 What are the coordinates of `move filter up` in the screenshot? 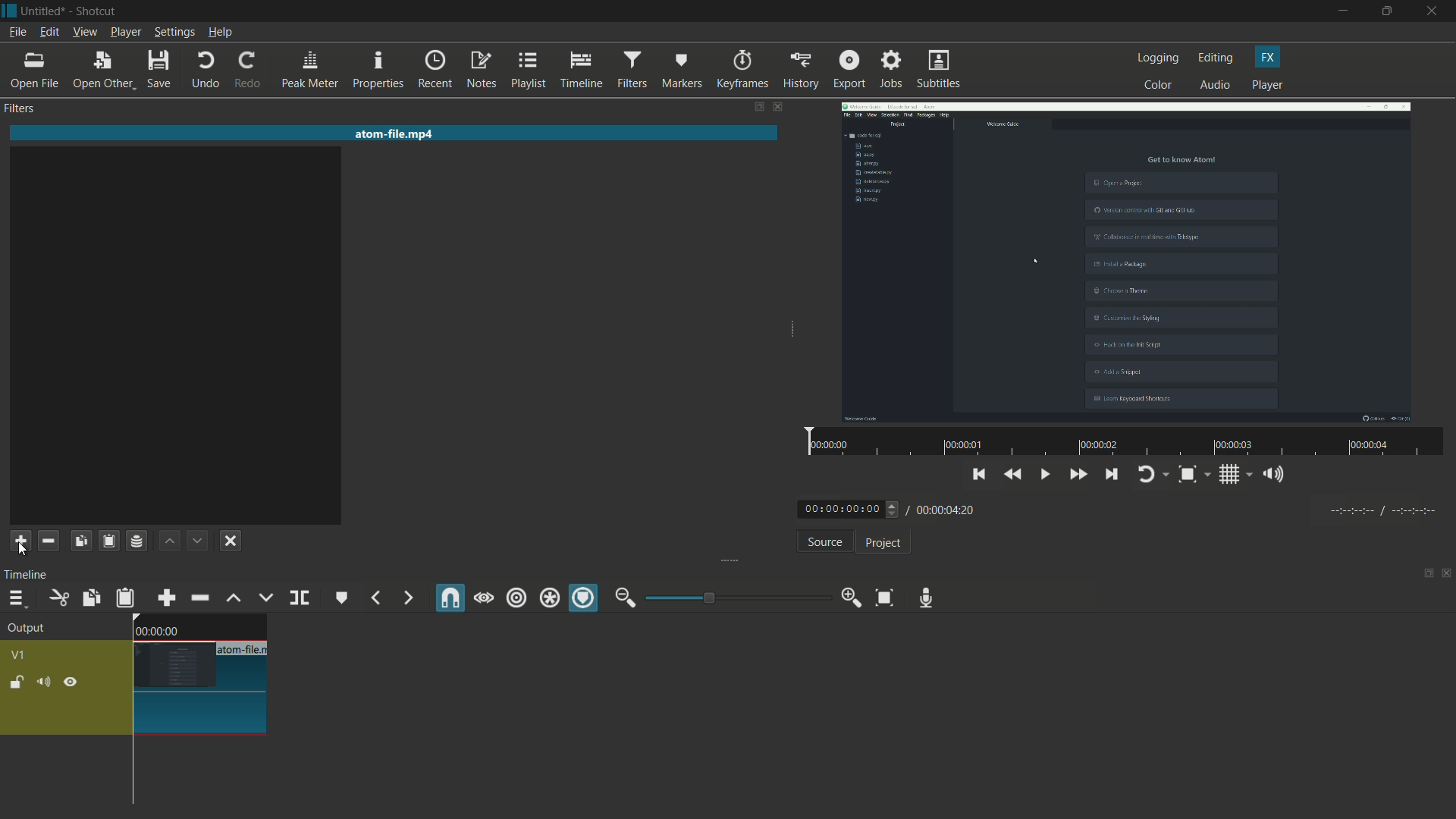 It's located at (169, 541).